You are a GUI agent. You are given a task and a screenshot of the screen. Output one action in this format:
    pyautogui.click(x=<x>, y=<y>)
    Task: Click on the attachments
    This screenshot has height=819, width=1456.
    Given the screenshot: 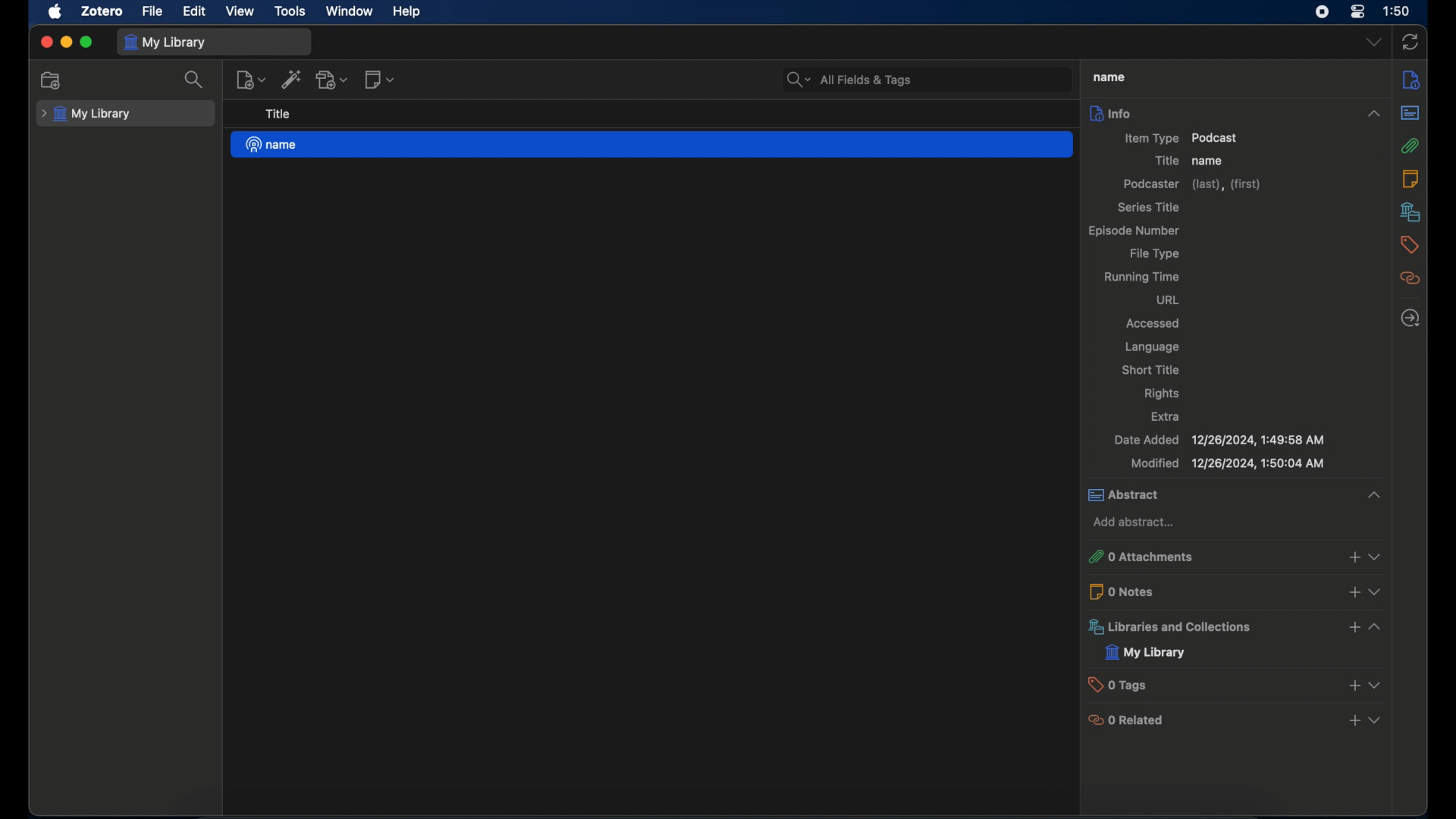 What is the action you would take?
    pyautogui.click(x=1410, y=146)
    